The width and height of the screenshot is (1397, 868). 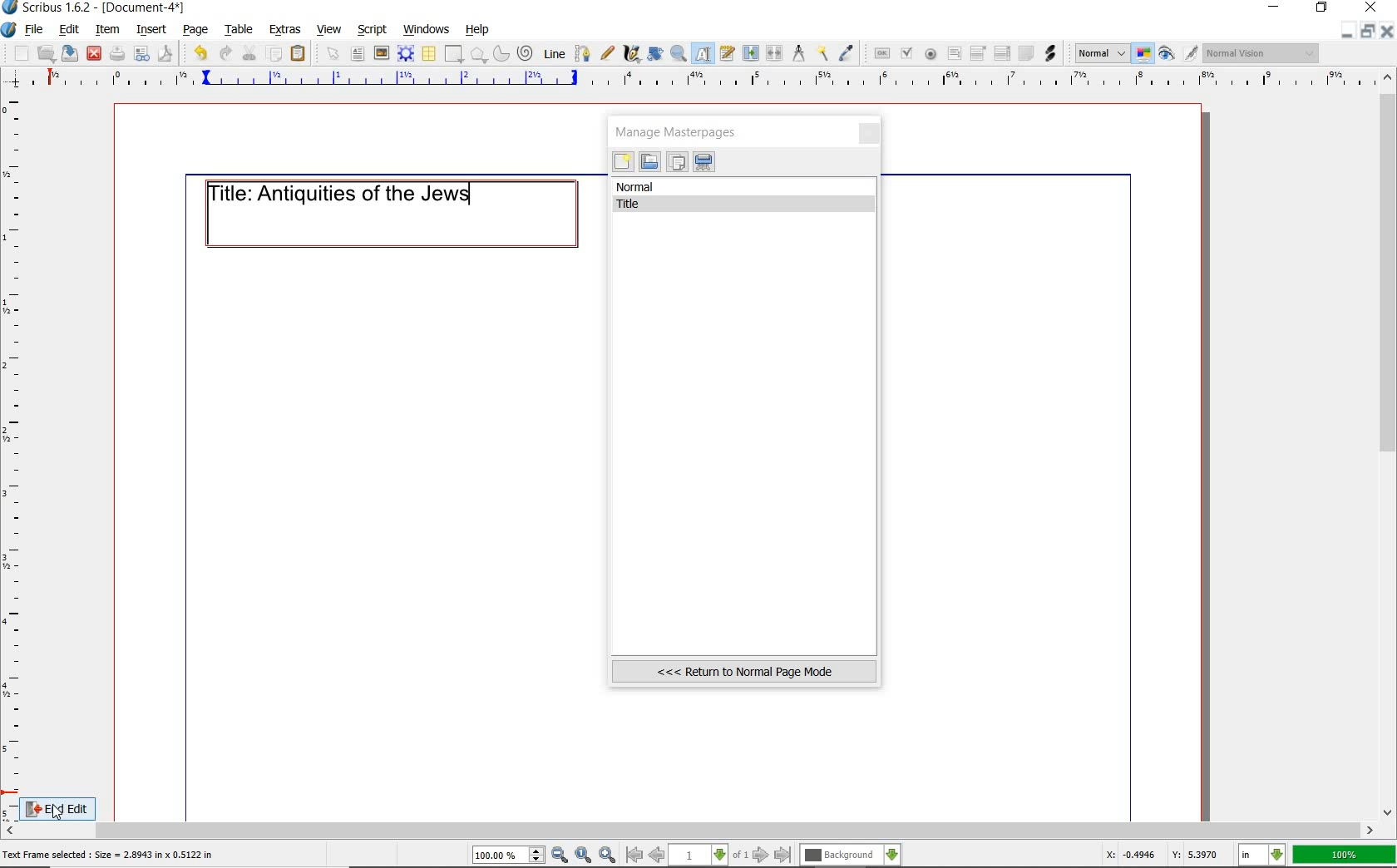 What do you see at coordinates (677, 164) in the screenshot?
I see `duplicate the selected masterpages` at bounding box center [677, 164].